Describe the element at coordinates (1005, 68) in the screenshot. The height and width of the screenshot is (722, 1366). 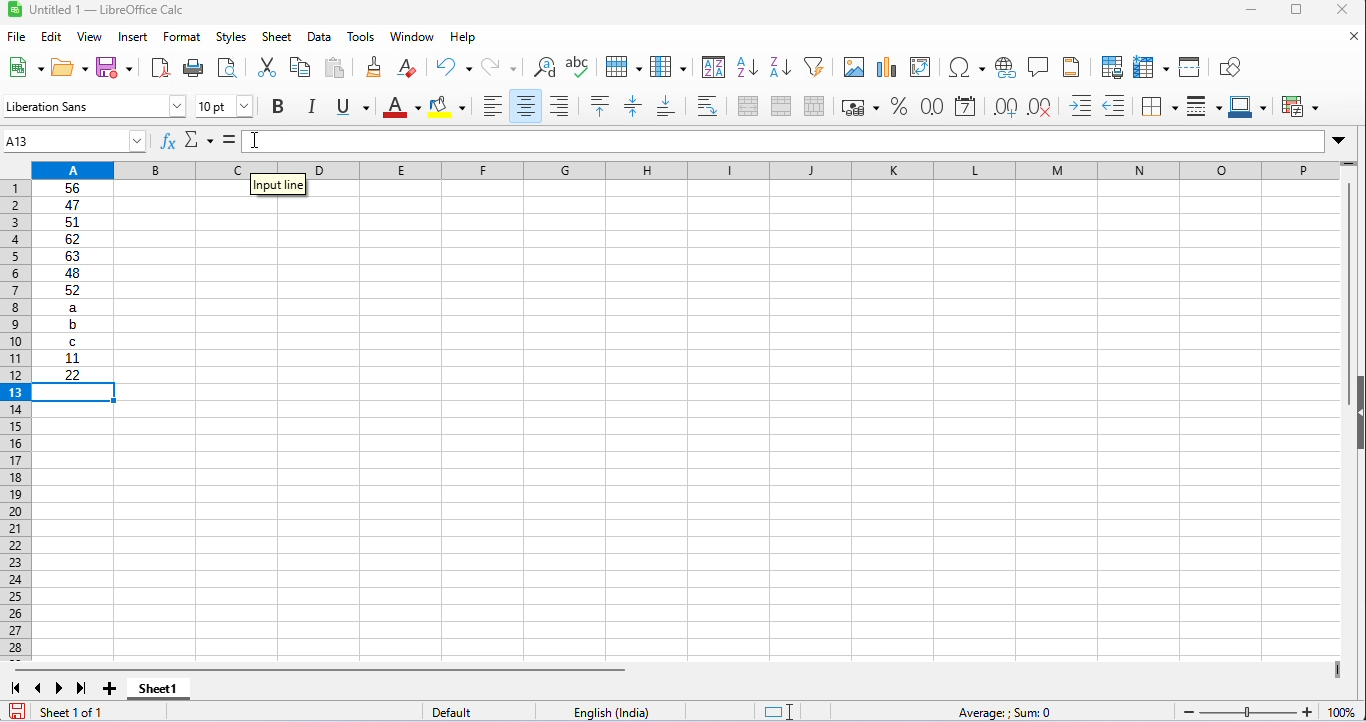
I see `` at that location.